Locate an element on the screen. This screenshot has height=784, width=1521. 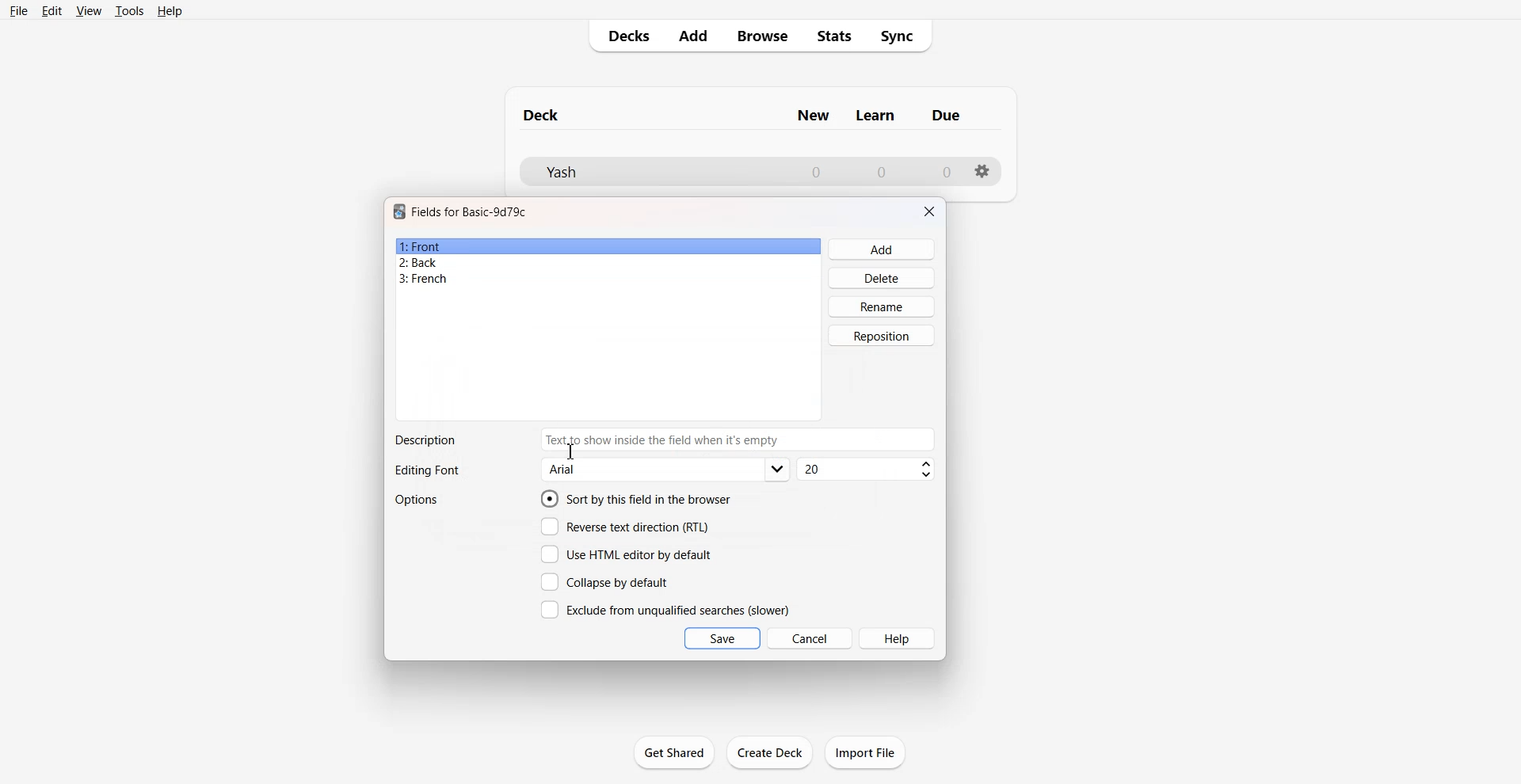
Software logo is located at coordinates (399, 211).